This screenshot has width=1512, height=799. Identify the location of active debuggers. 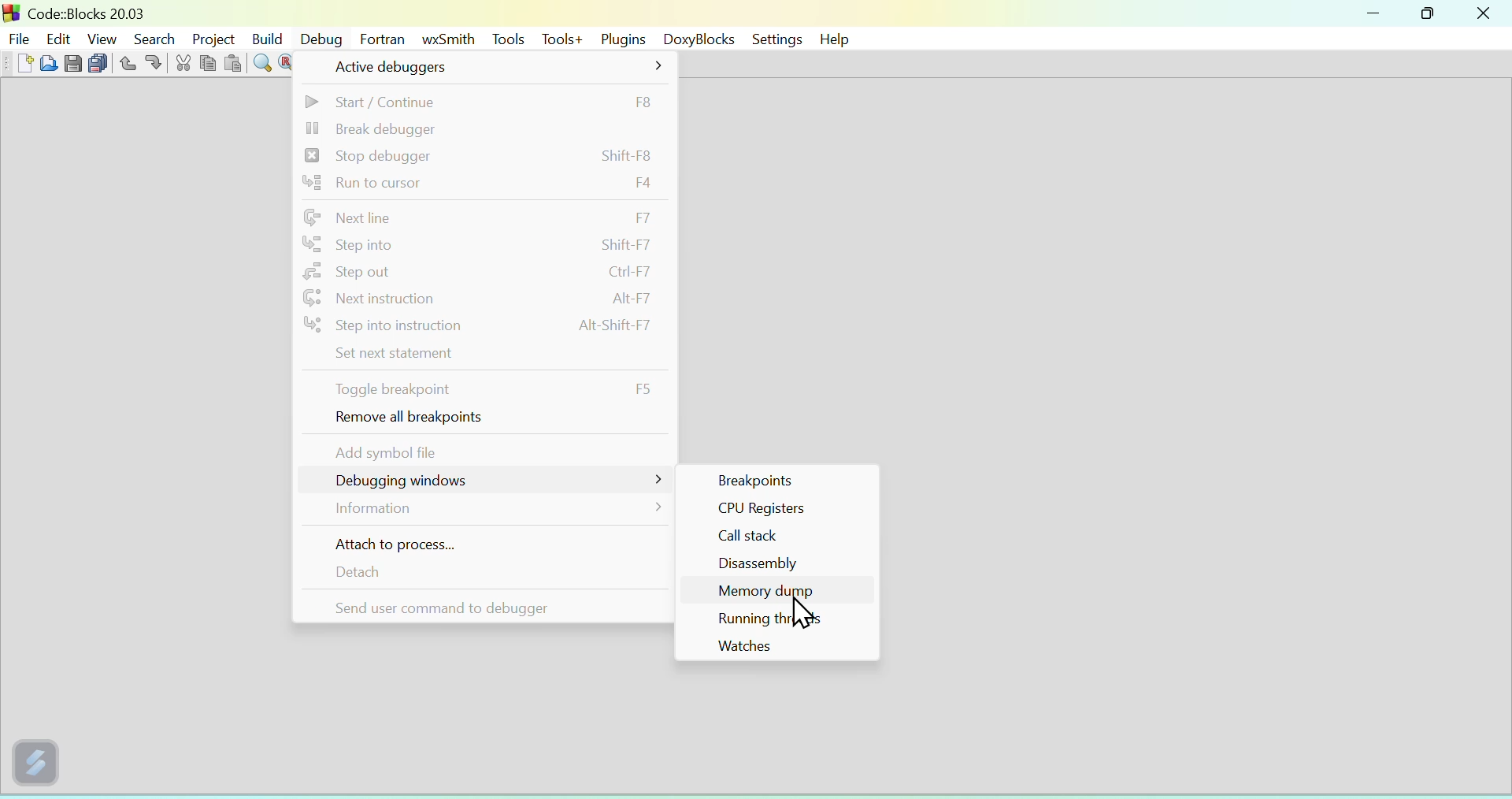
(492, 67).